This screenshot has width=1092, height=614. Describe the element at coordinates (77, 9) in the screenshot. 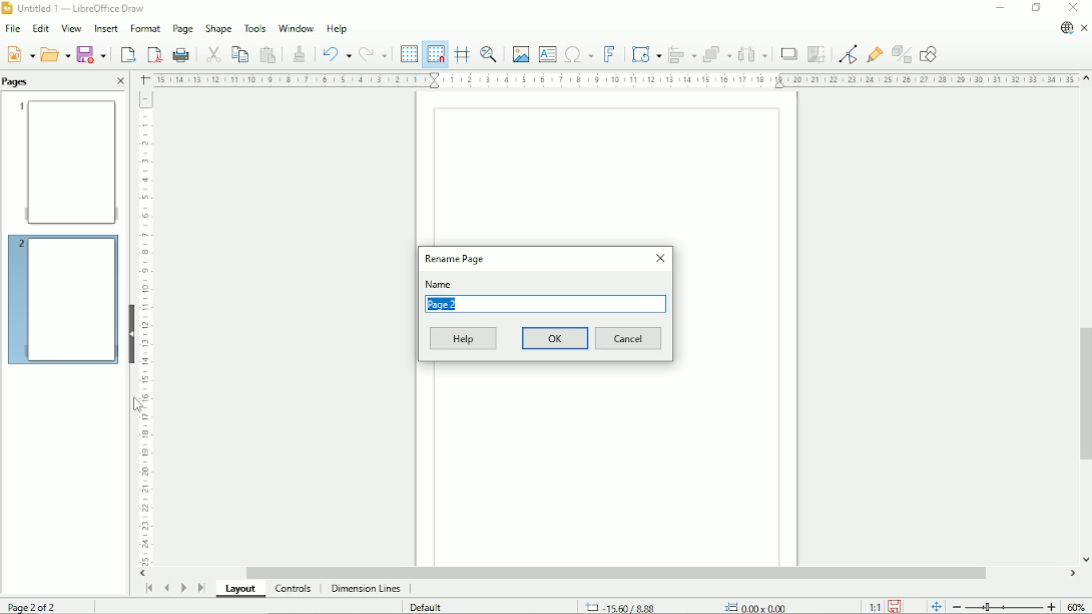

I see `Title` at that location.